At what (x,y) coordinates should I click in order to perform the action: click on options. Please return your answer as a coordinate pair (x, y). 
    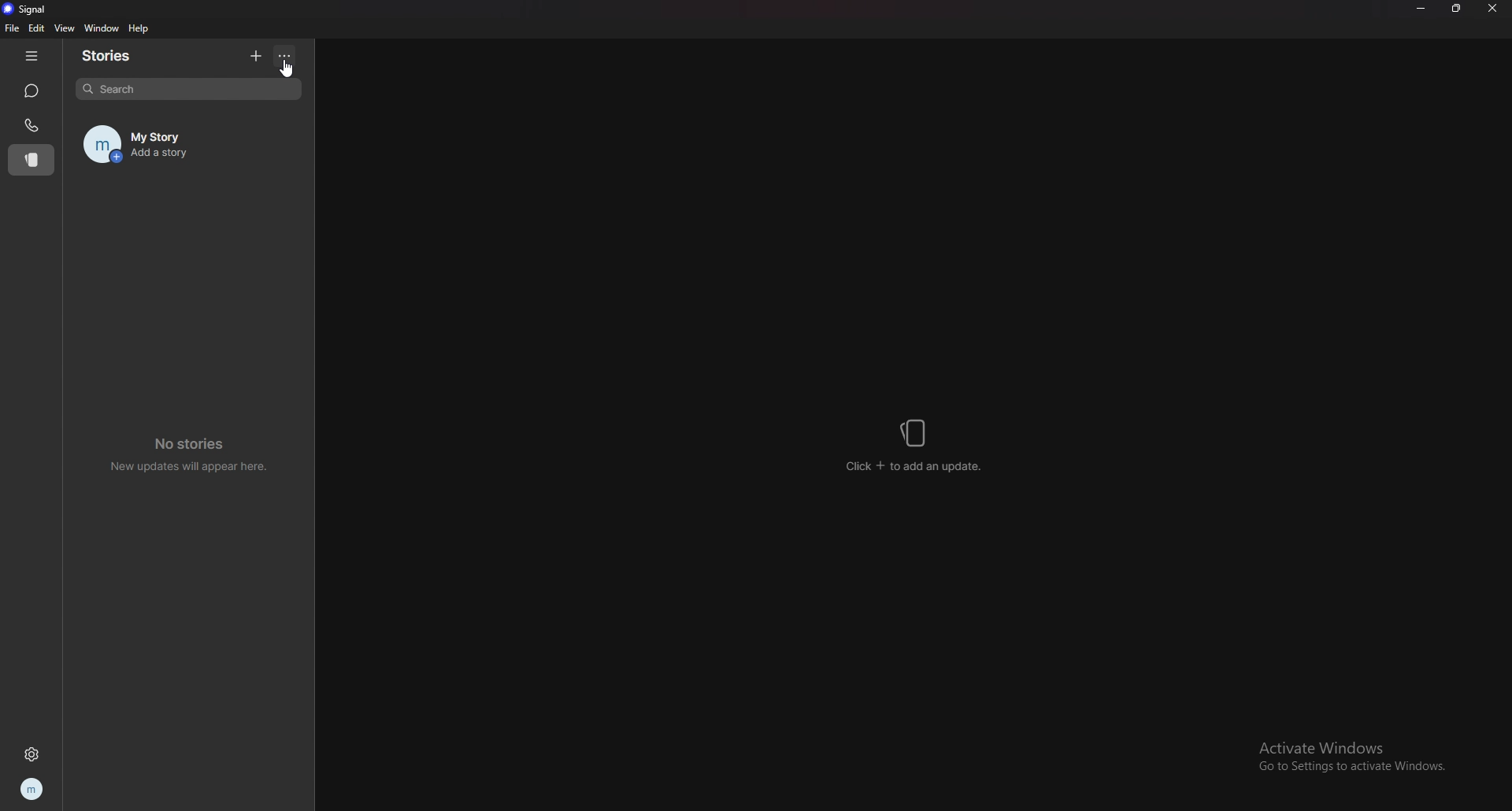
    Looking at the image, I should click on (288, 54).